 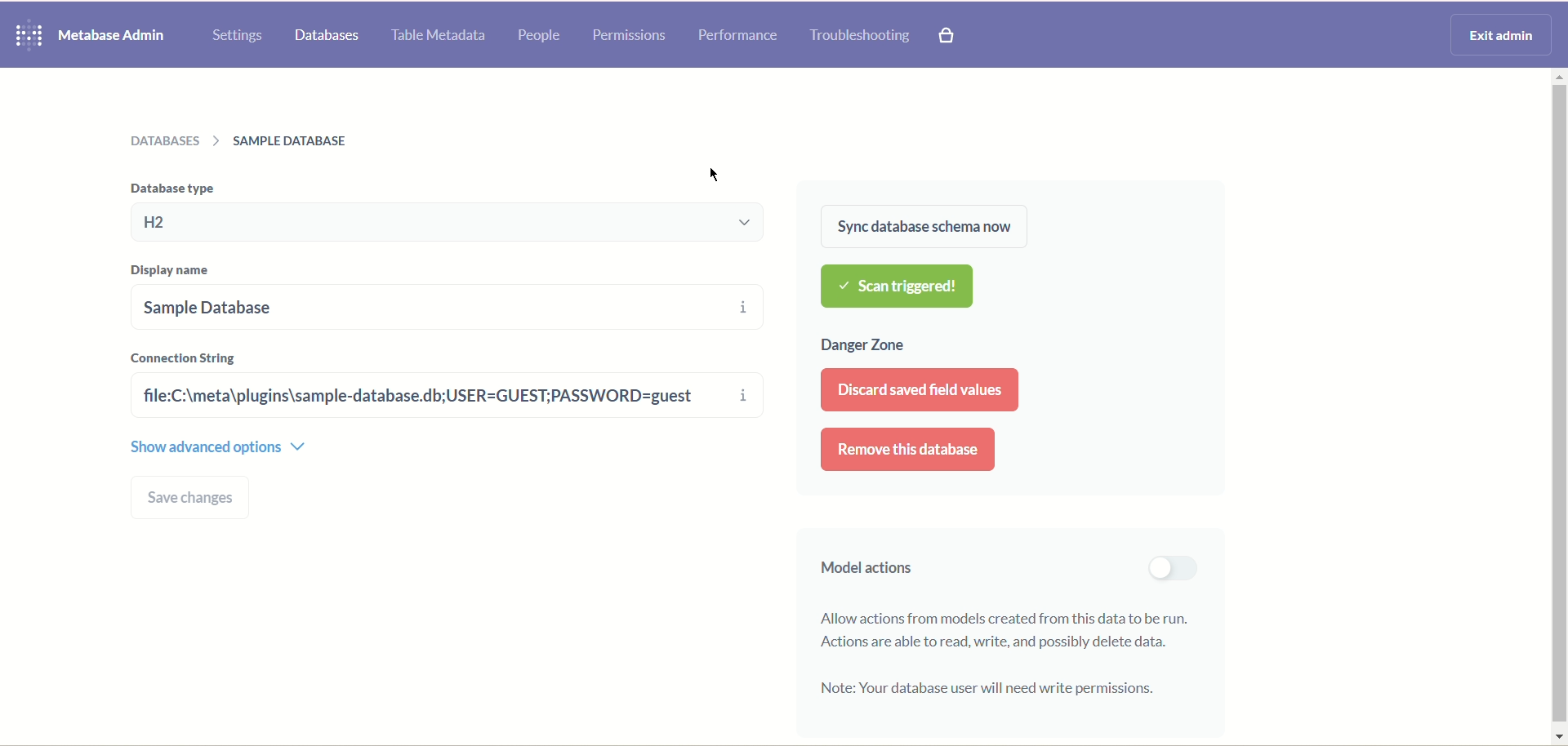 I want to click on cursor, so click(x=719, y=173).